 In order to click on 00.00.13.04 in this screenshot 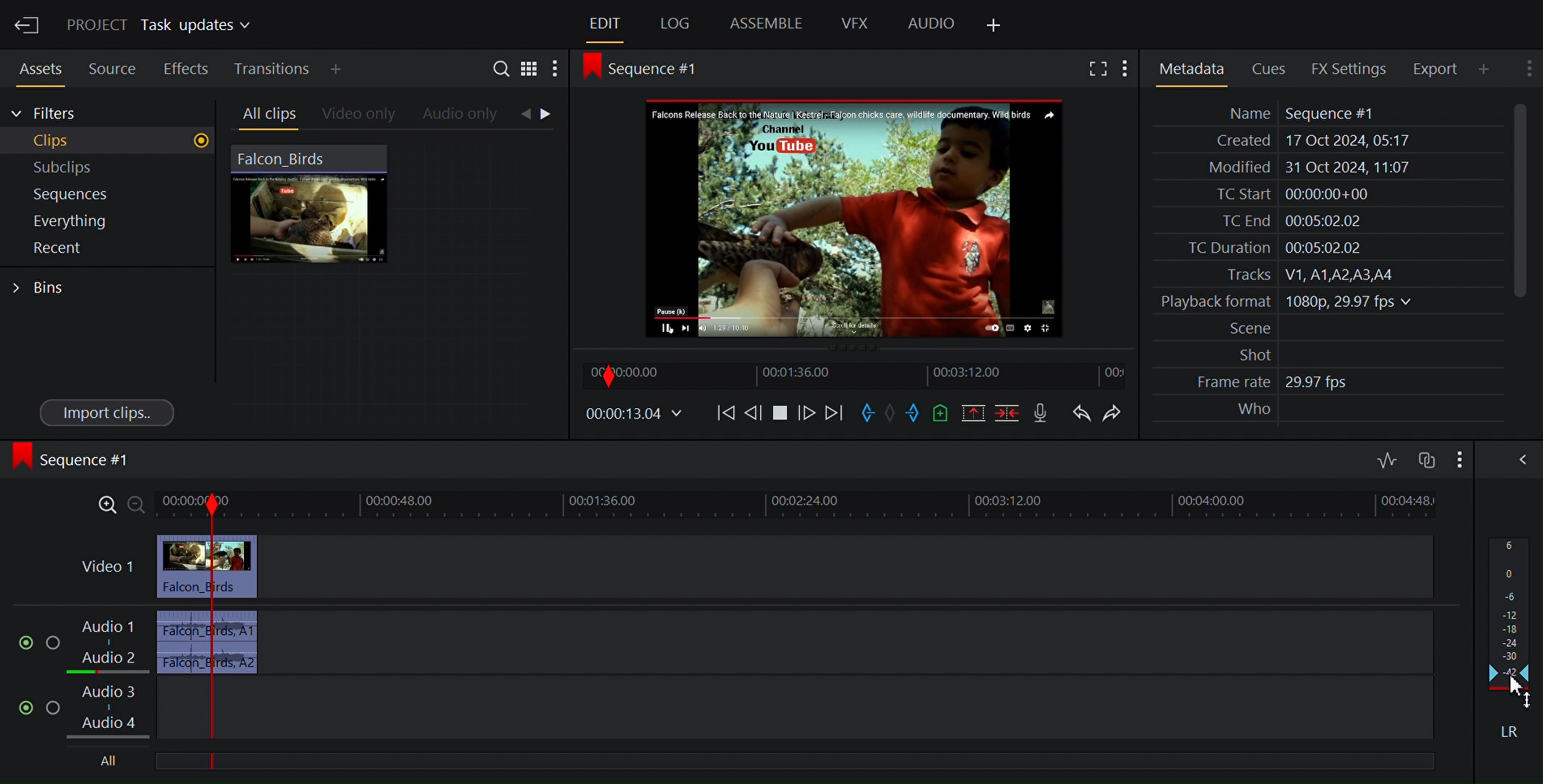, I will do `click(634, 415)`.